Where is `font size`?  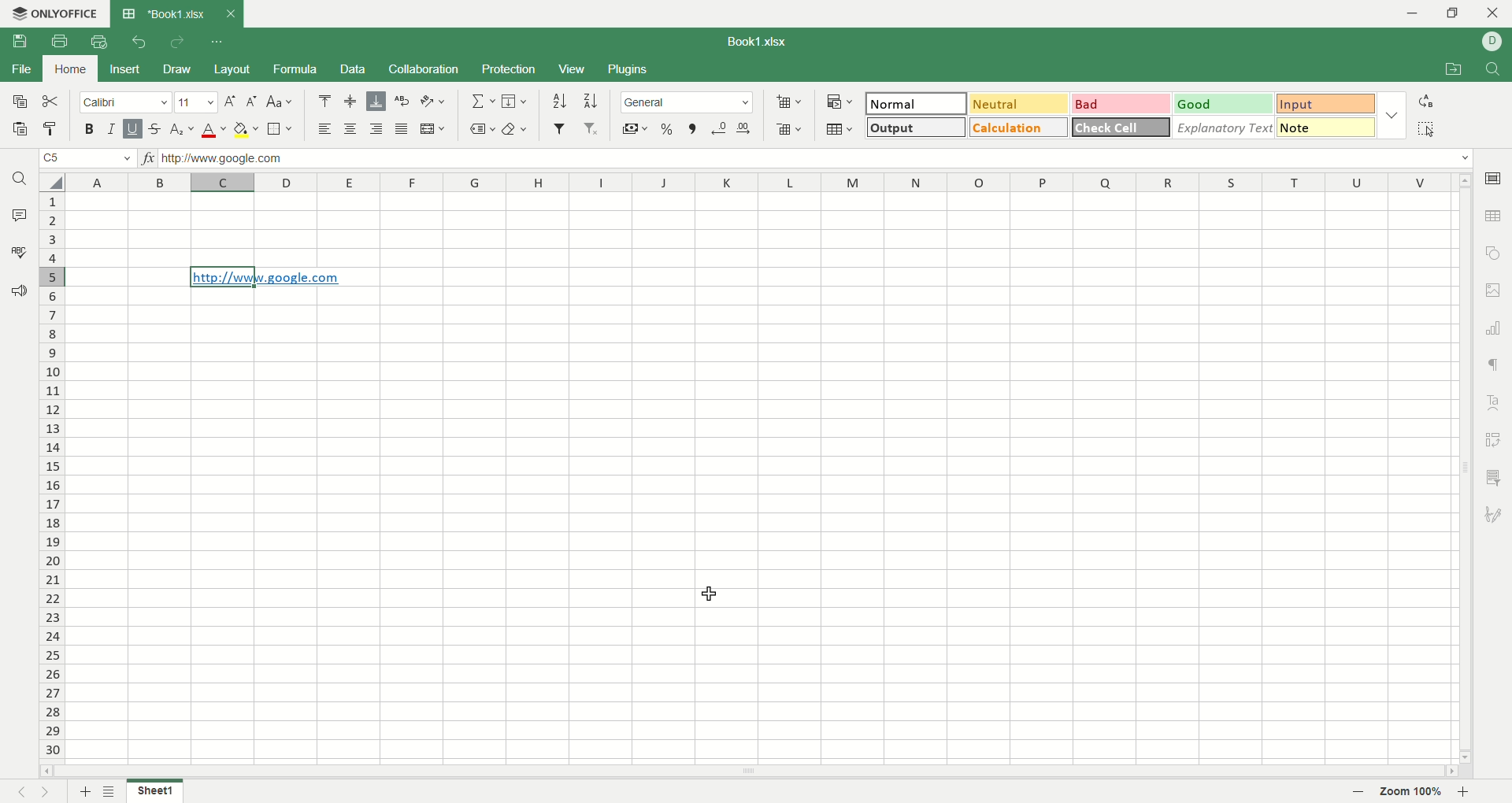 font size is located at coordinates (195, 103).